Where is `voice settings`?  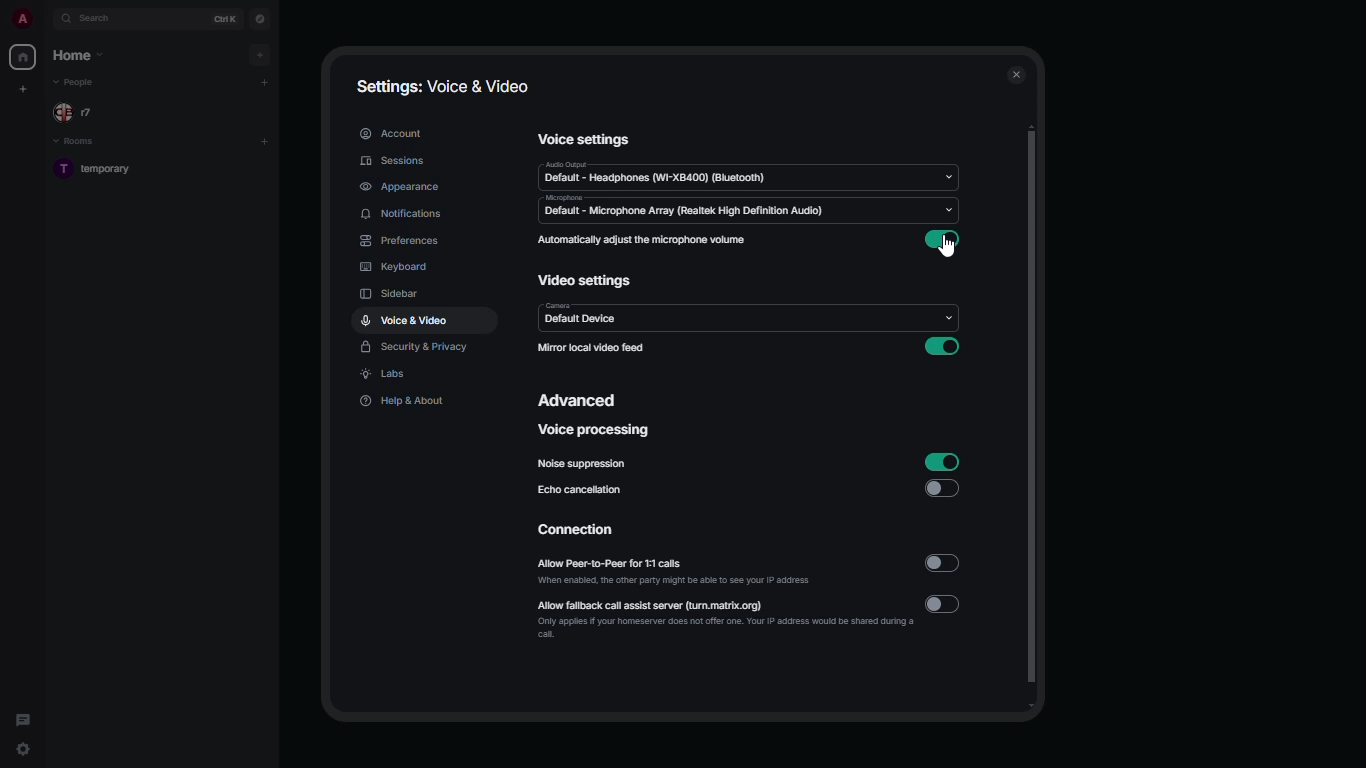 voice settings is located at coordinates (586, 139).